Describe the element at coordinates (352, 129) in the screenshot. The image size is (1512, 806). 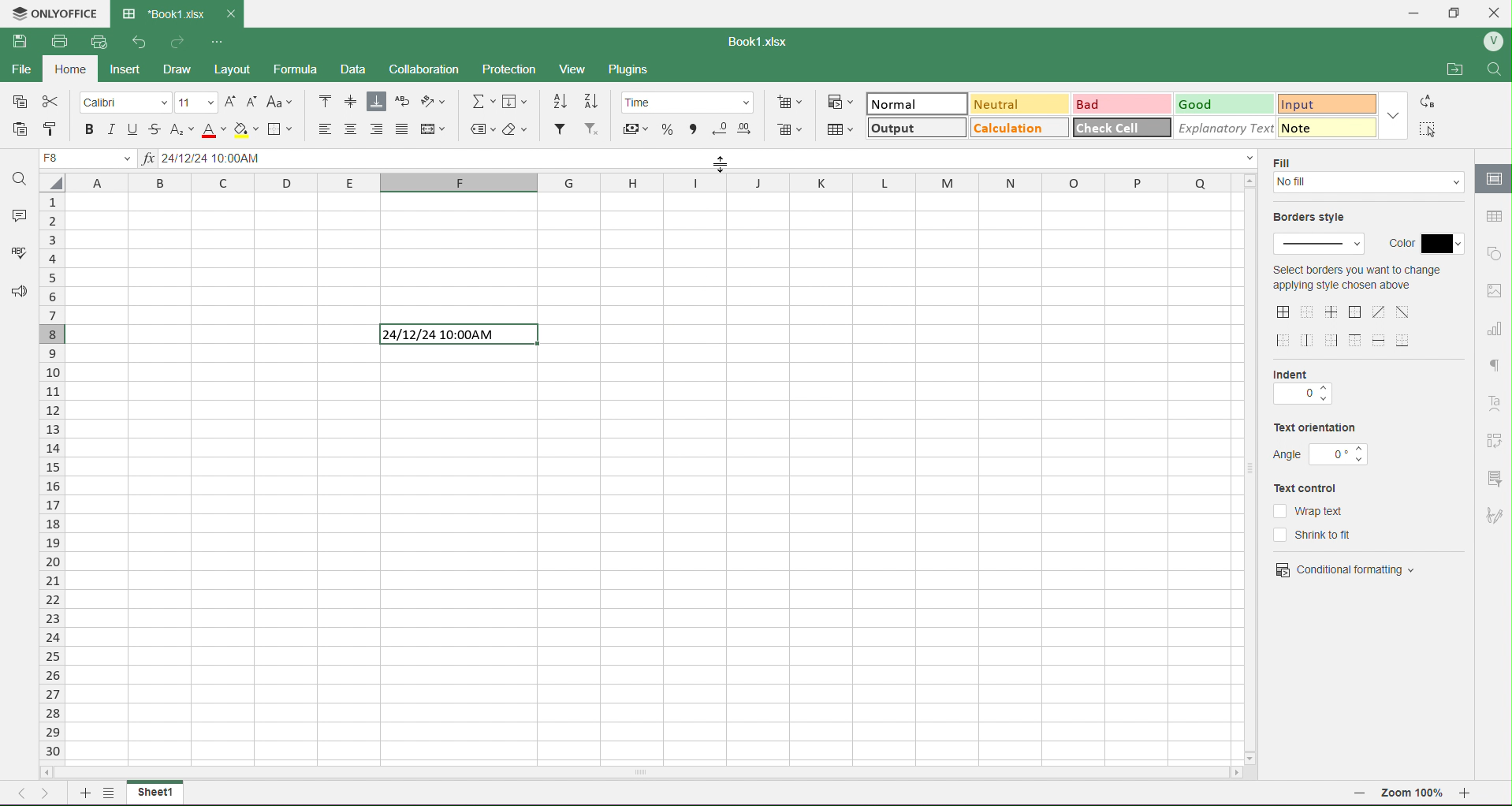
I see `Center` at that location.